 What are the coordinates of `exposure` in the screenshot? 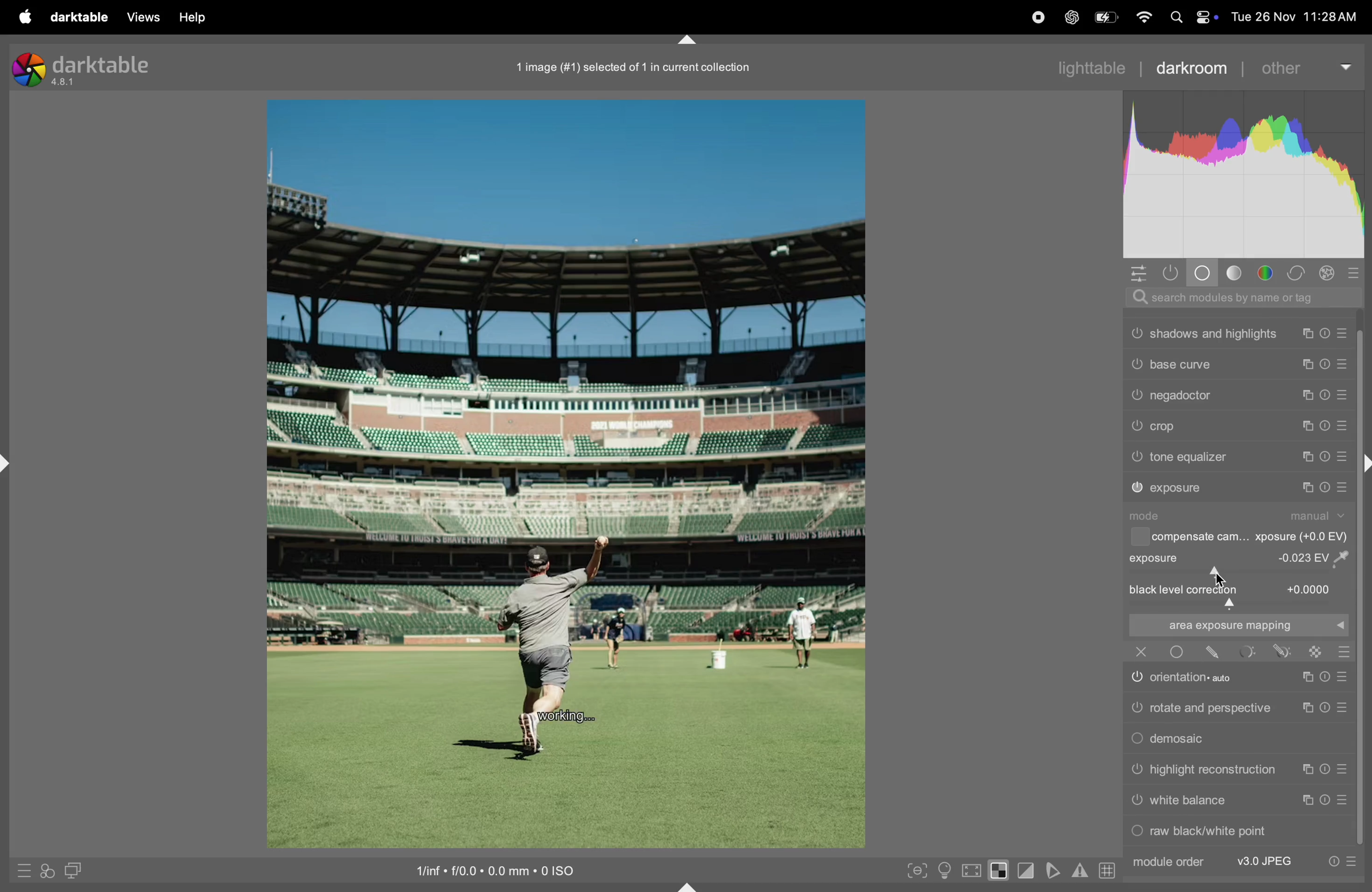 It's located at (1178, 488).